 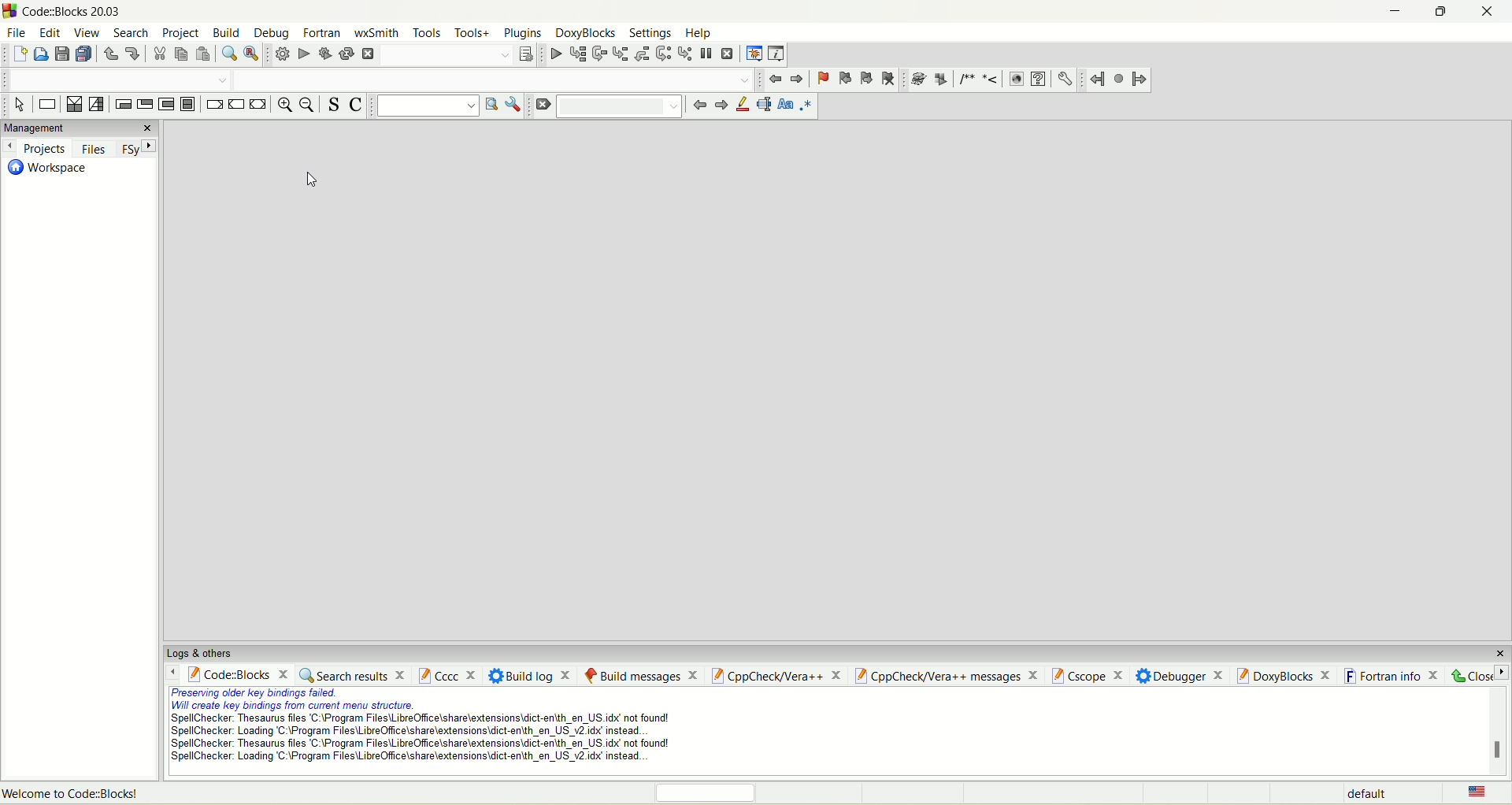 What do you see at coordinates (752, 54) in the screenshot?
I see `debugging window` at bounding box center [752, 54].